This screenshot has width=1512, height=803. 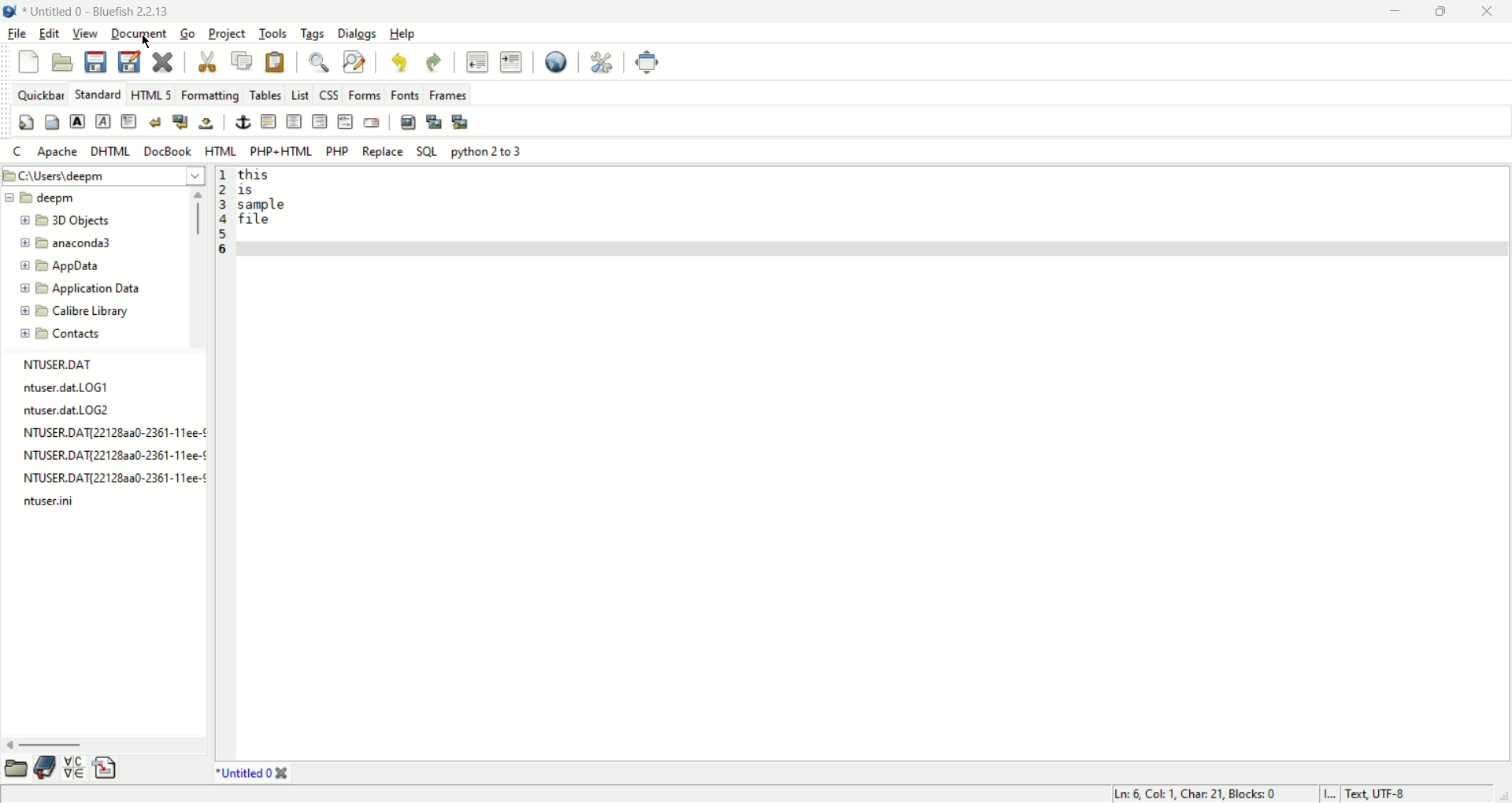 I want to click on ntuser.dat.LOG2, so click(x=66, y=409).